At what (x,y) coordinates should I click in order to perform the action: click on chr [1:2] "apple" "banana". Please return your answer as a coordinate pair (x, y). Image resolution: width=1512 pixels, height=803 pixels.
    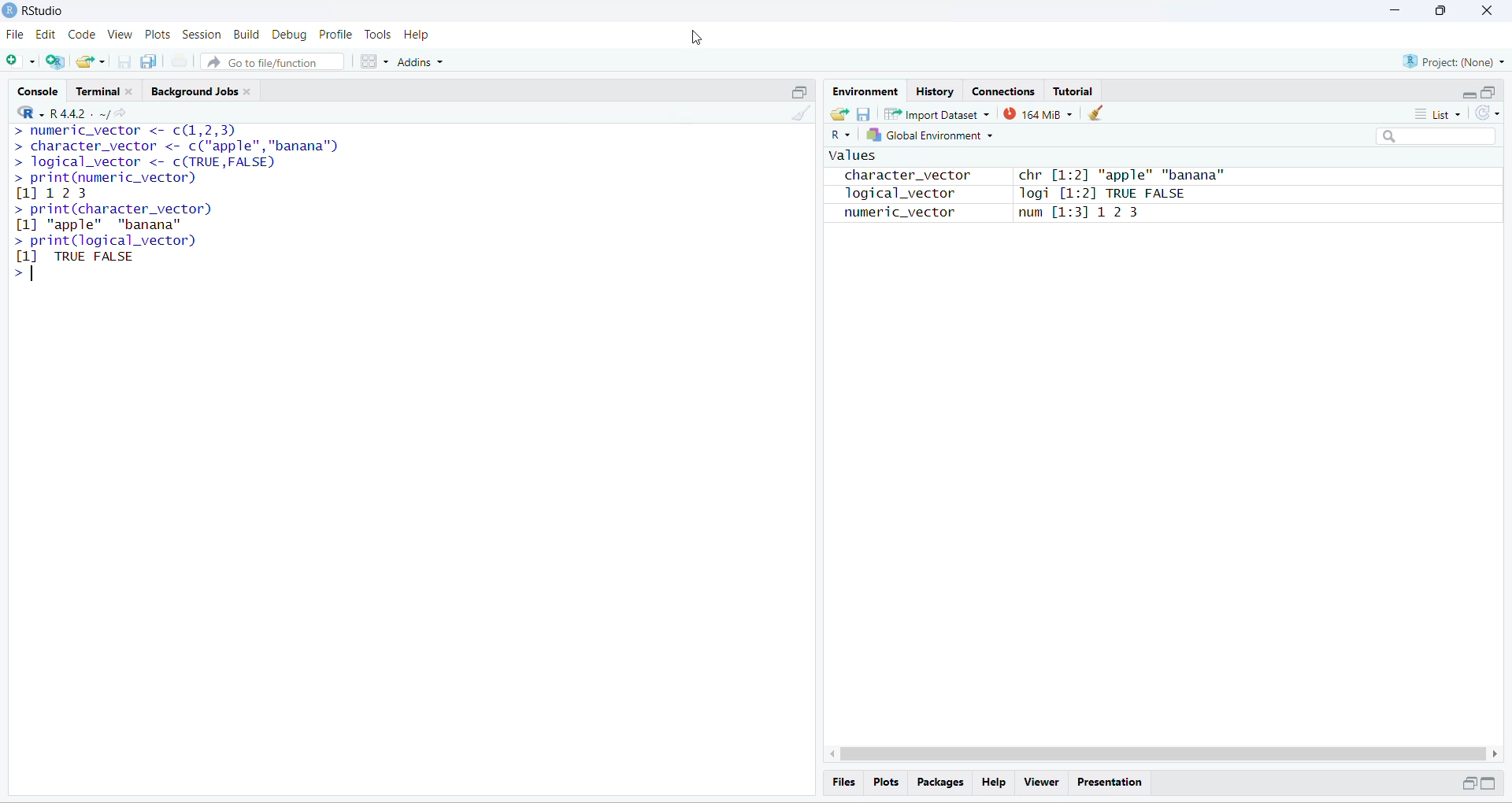
    Looking at the image, I should click on (1121, 176).